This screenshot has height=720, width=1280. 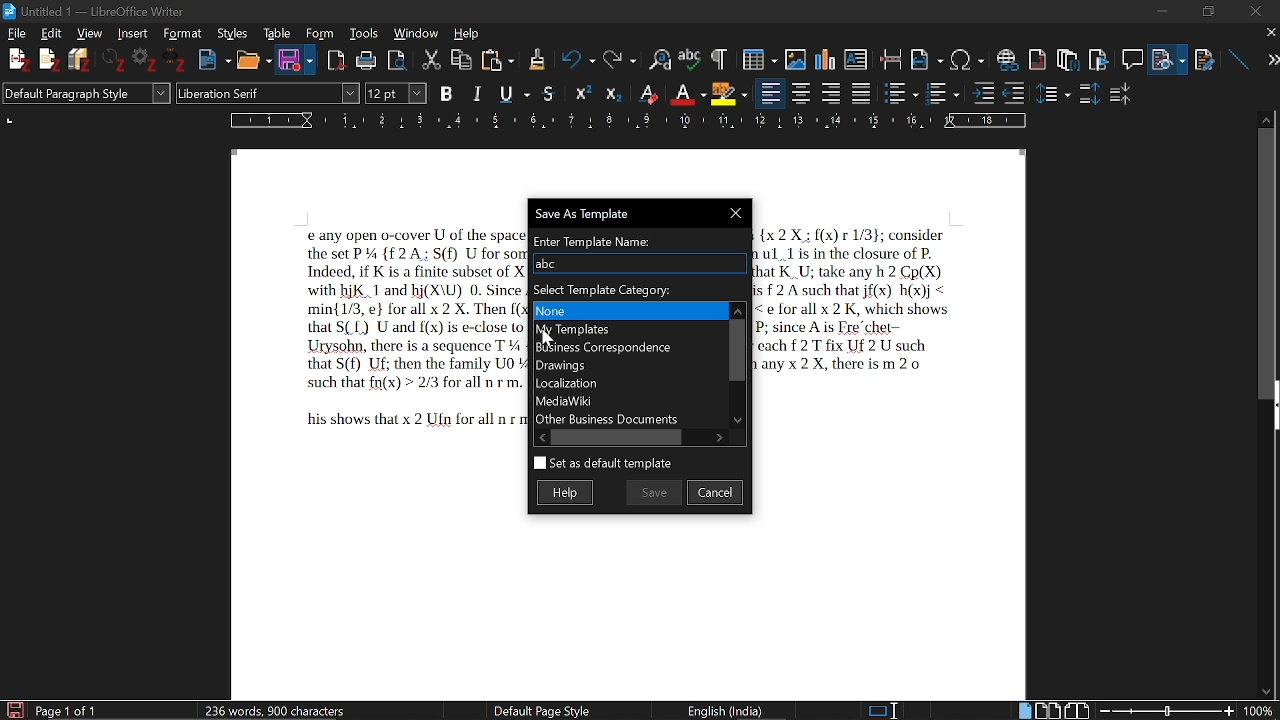 I want to click on Liberation Serif, so click(x=228, y=95).